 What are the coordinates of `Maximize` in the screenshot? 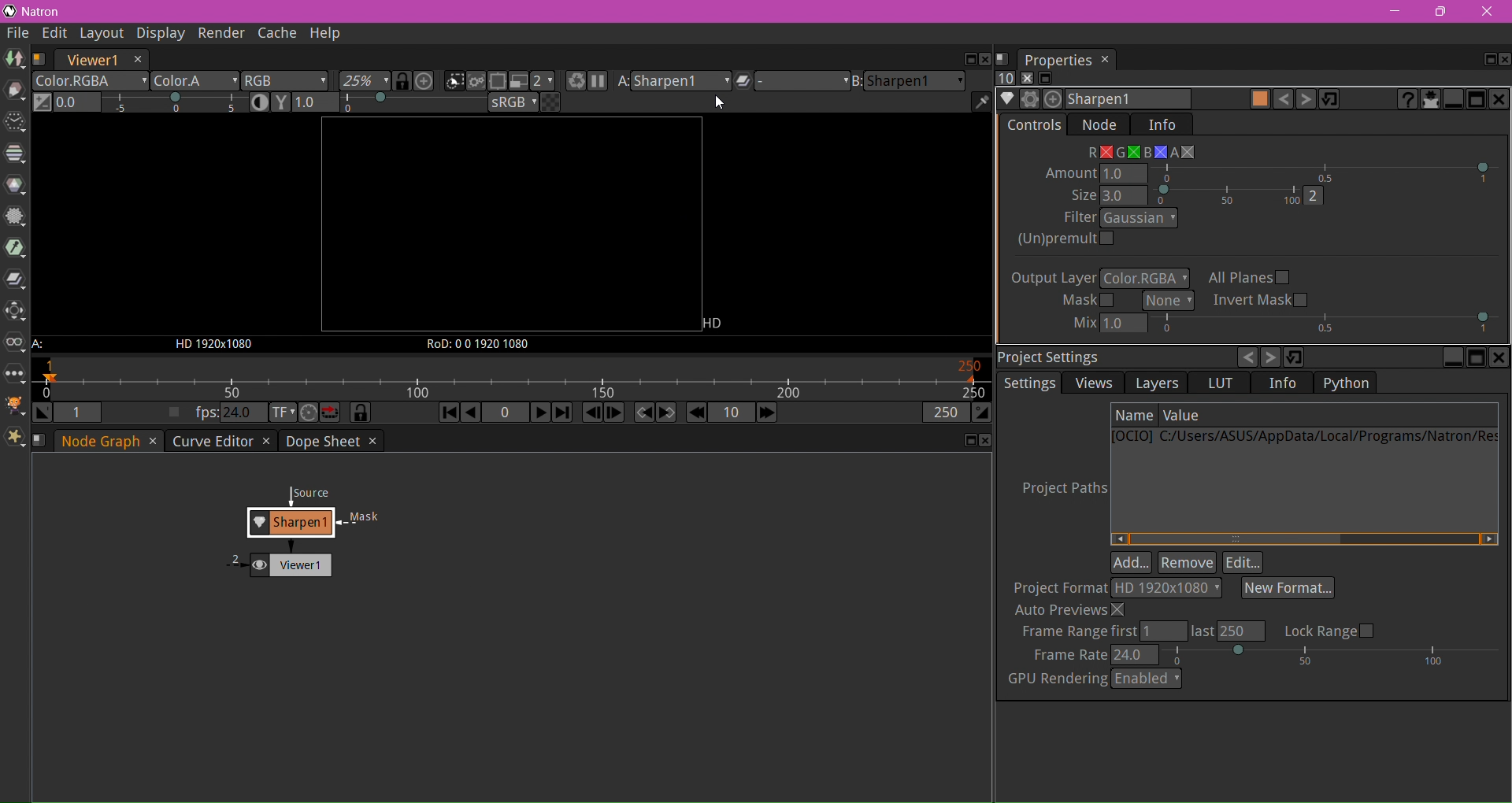 It's located at (1487, 61).